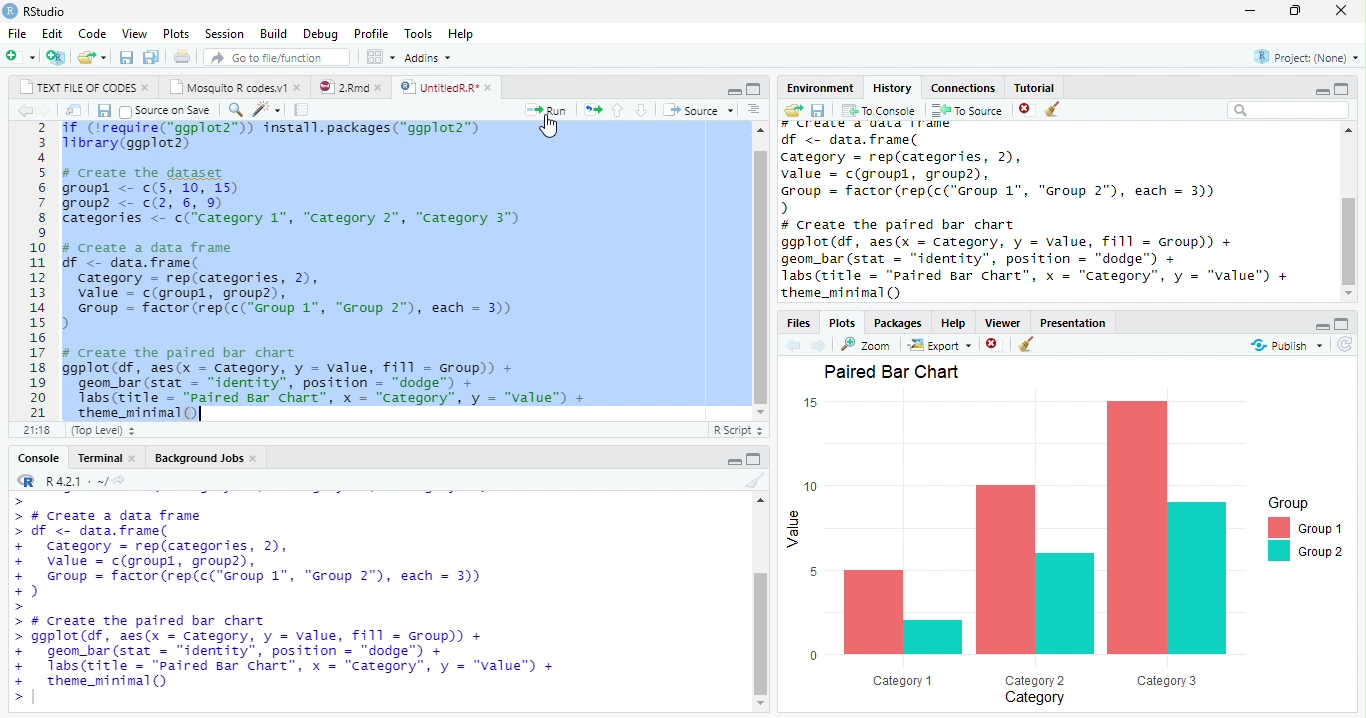 This screenshot has width=1366, height=718. Describe the element at coordinates (1286, 346) in the screenshot. I see `Publish` at that location.